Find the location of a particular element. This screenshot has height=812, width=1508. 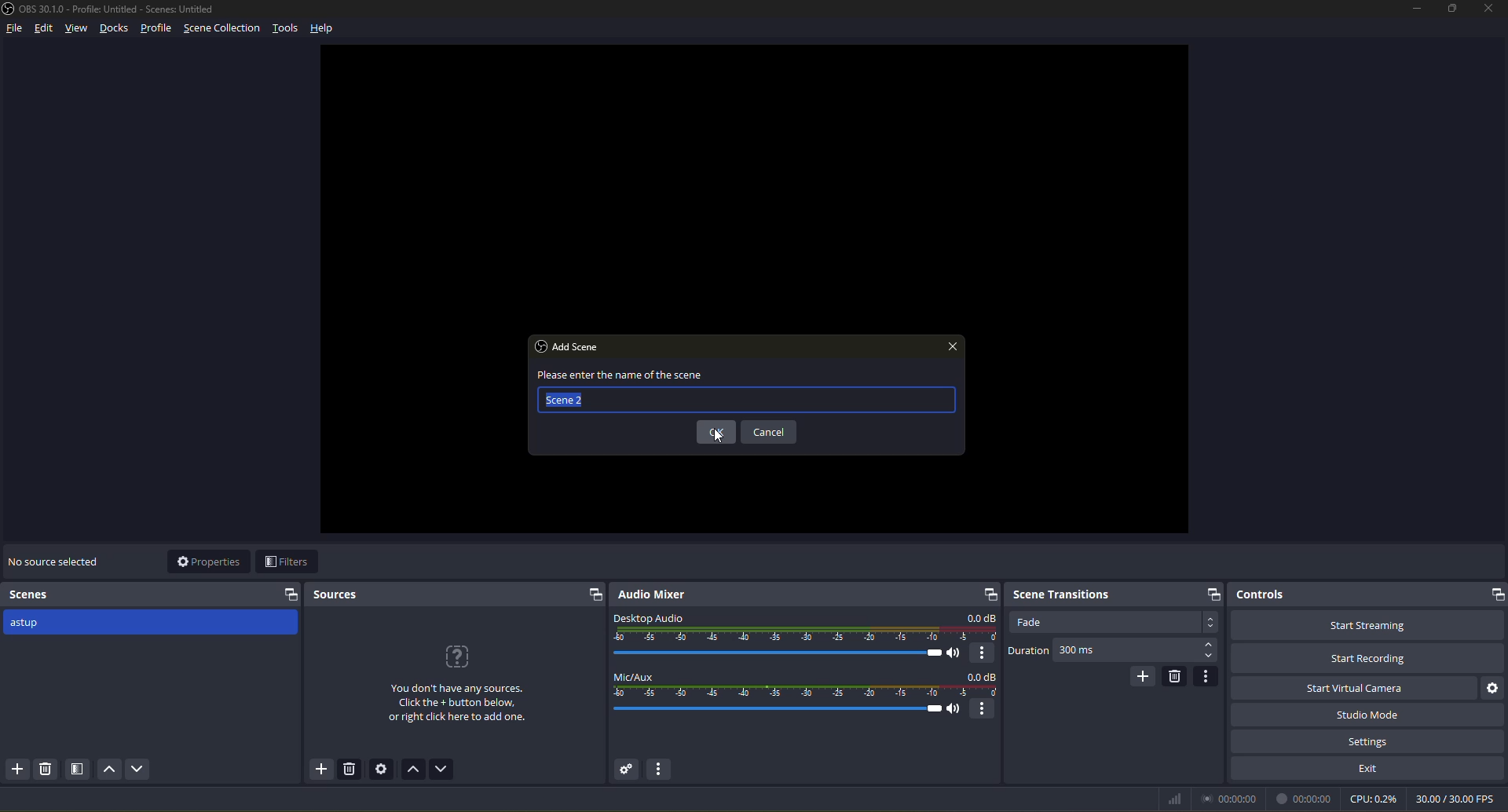

obs profile is located at coordinates (112, 9).